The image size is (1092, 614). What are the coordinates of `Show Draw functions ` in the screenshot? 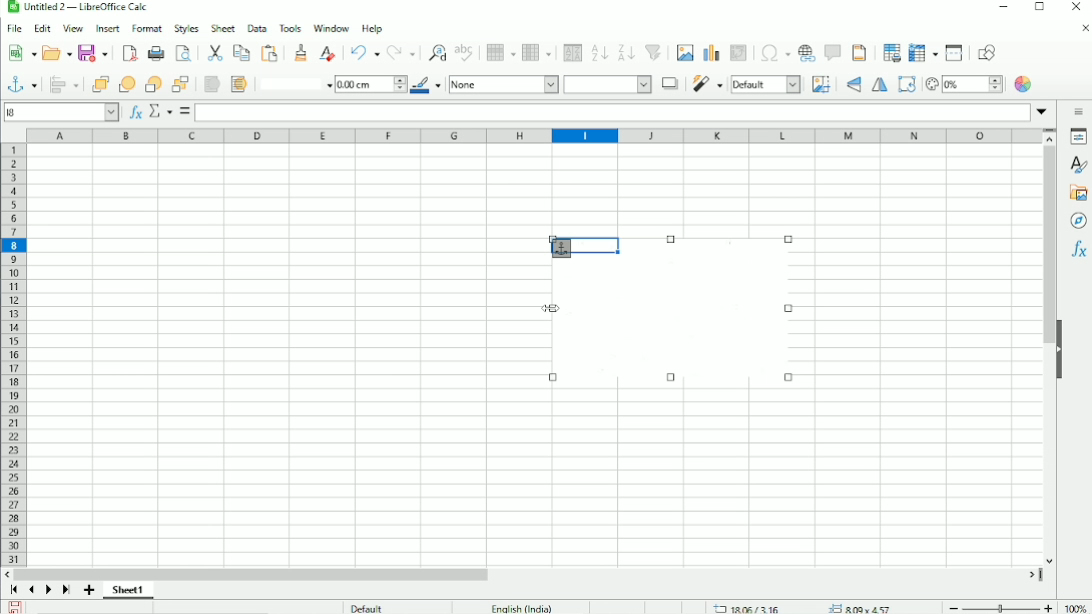 It's located at (991, 52).